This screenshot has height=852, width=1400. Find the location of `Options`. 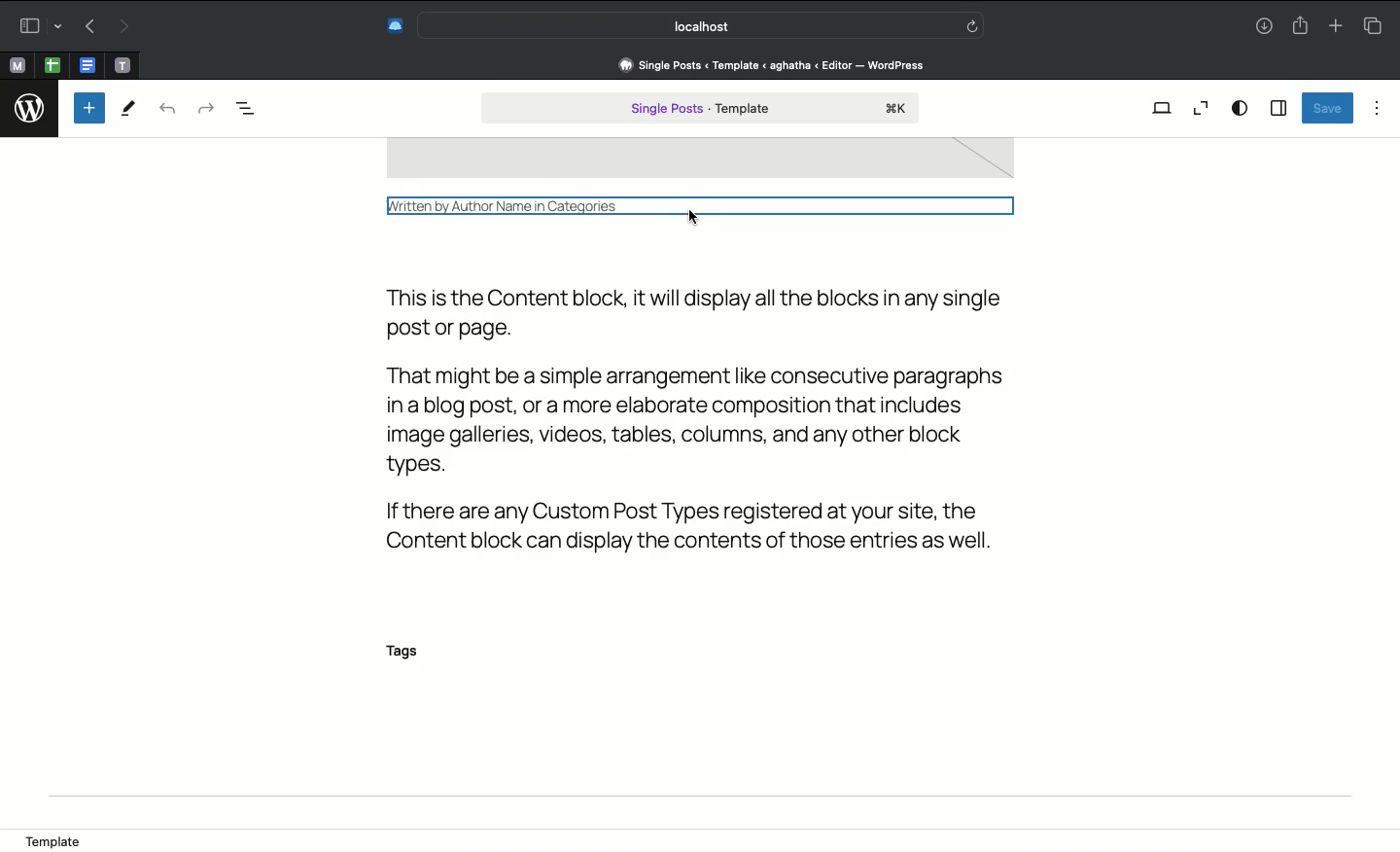

Options is located at coordinates (1377, 107).